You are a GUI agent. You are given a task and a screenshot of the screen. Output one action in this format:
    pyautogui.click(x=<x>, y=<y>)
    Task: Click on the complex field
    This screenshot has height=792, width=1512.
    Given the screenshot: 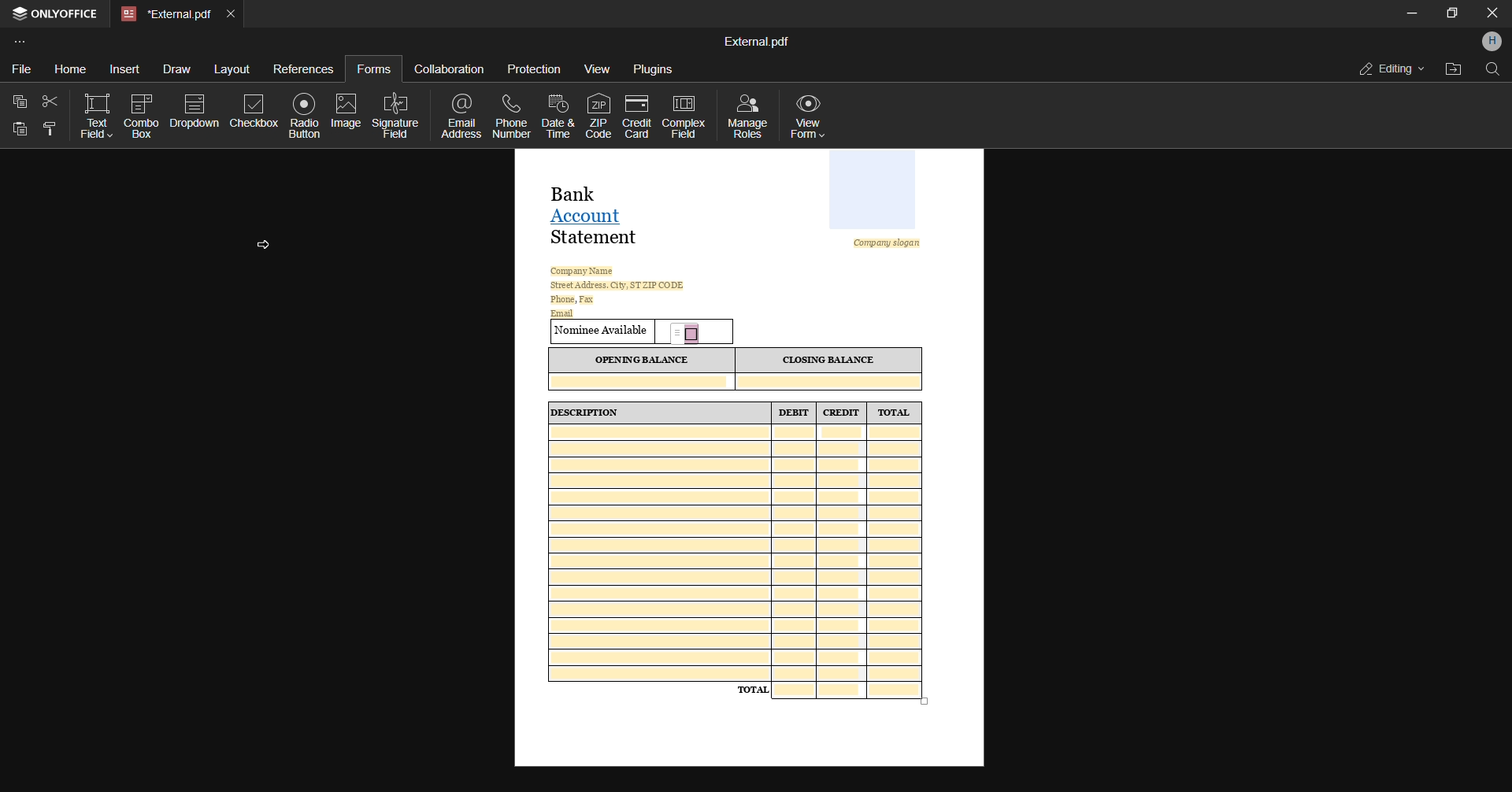 What is the action you would take?
    pyautogui.click(x=683, y=117)
    